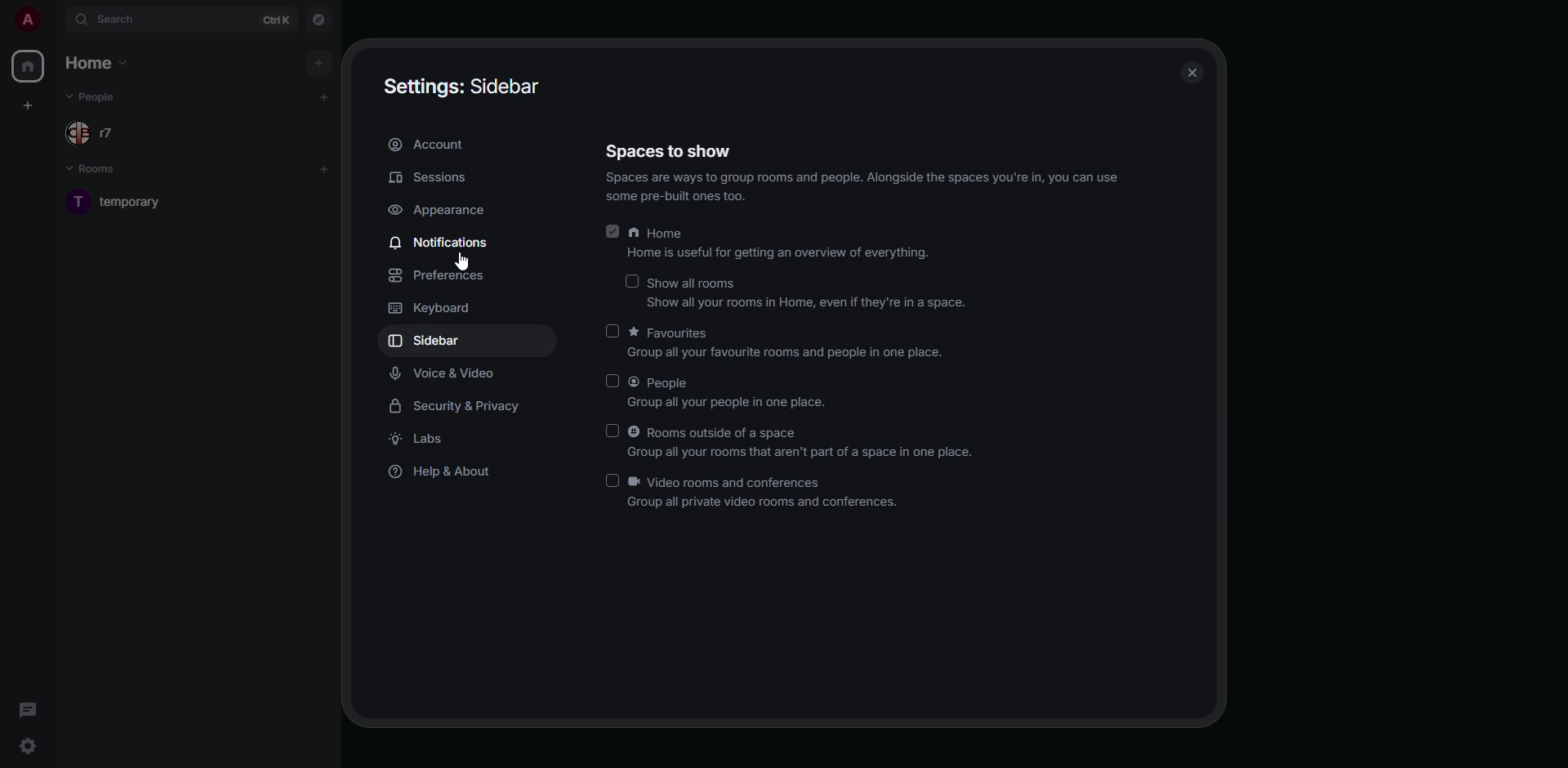 The width and height of the screenshot is (1568, 768). Describe the element at coordinates (325, 167) in the screenshot. I see `add` at that location.